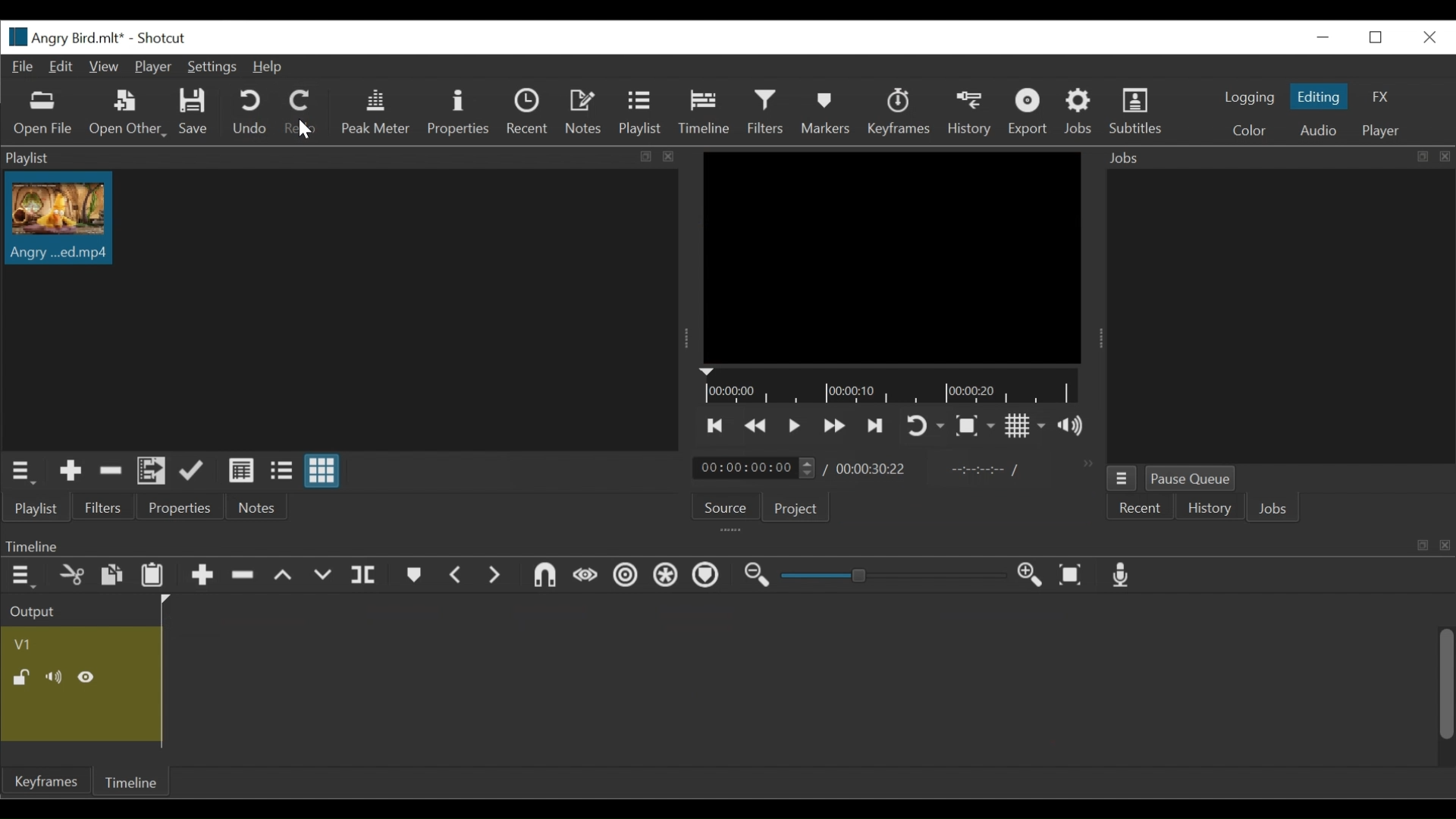 This screenshot has width=1456, height=819. What do you see at coordinates (1276, 510) in the screenshot?
I see `Jobs` at bounding box center [1276, 510].